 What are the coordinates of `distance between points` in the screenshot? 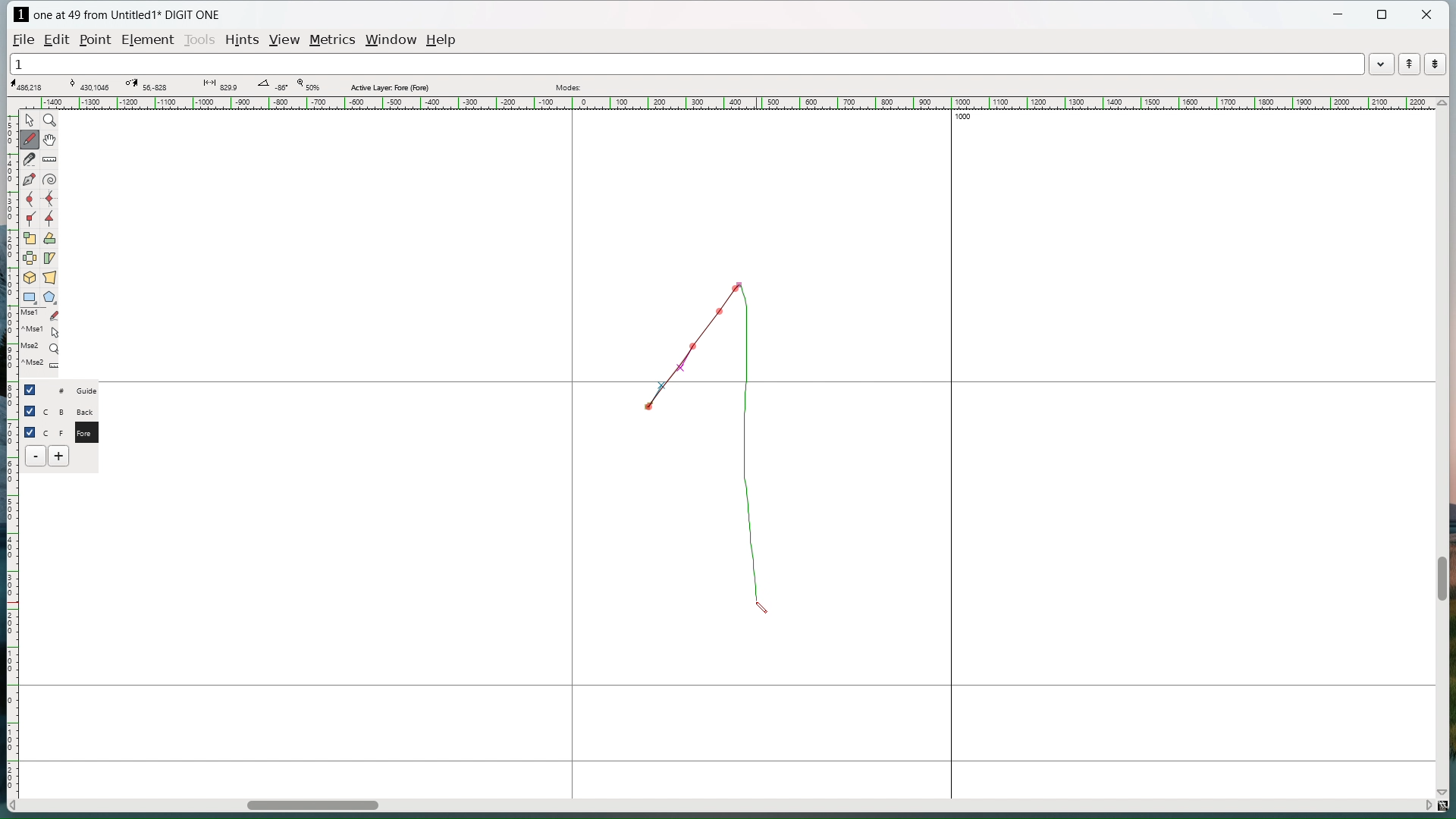 It's located at (219, 85).